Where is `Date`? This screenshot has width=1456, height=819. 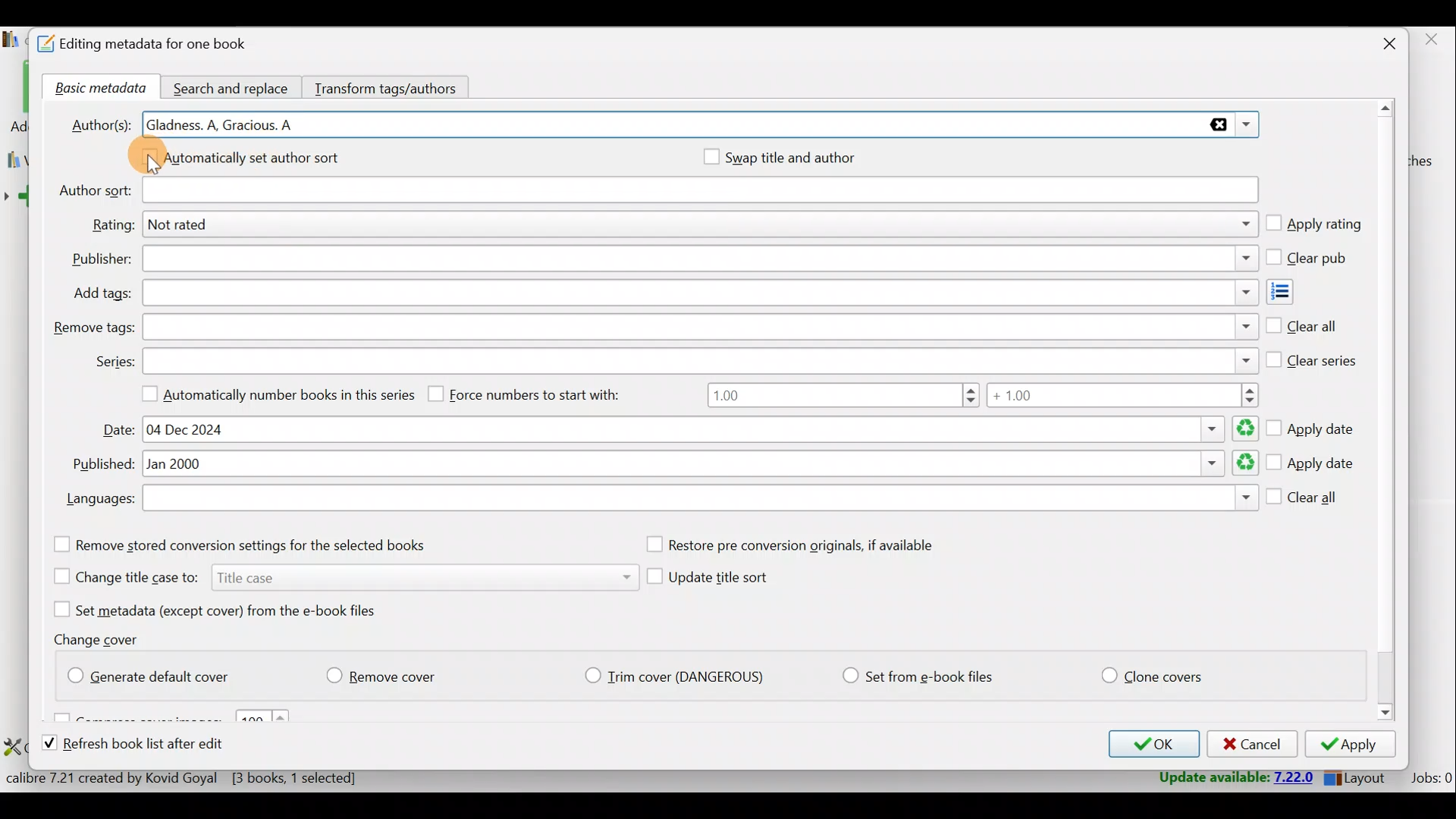 Date is located at coordinates (698, 429).